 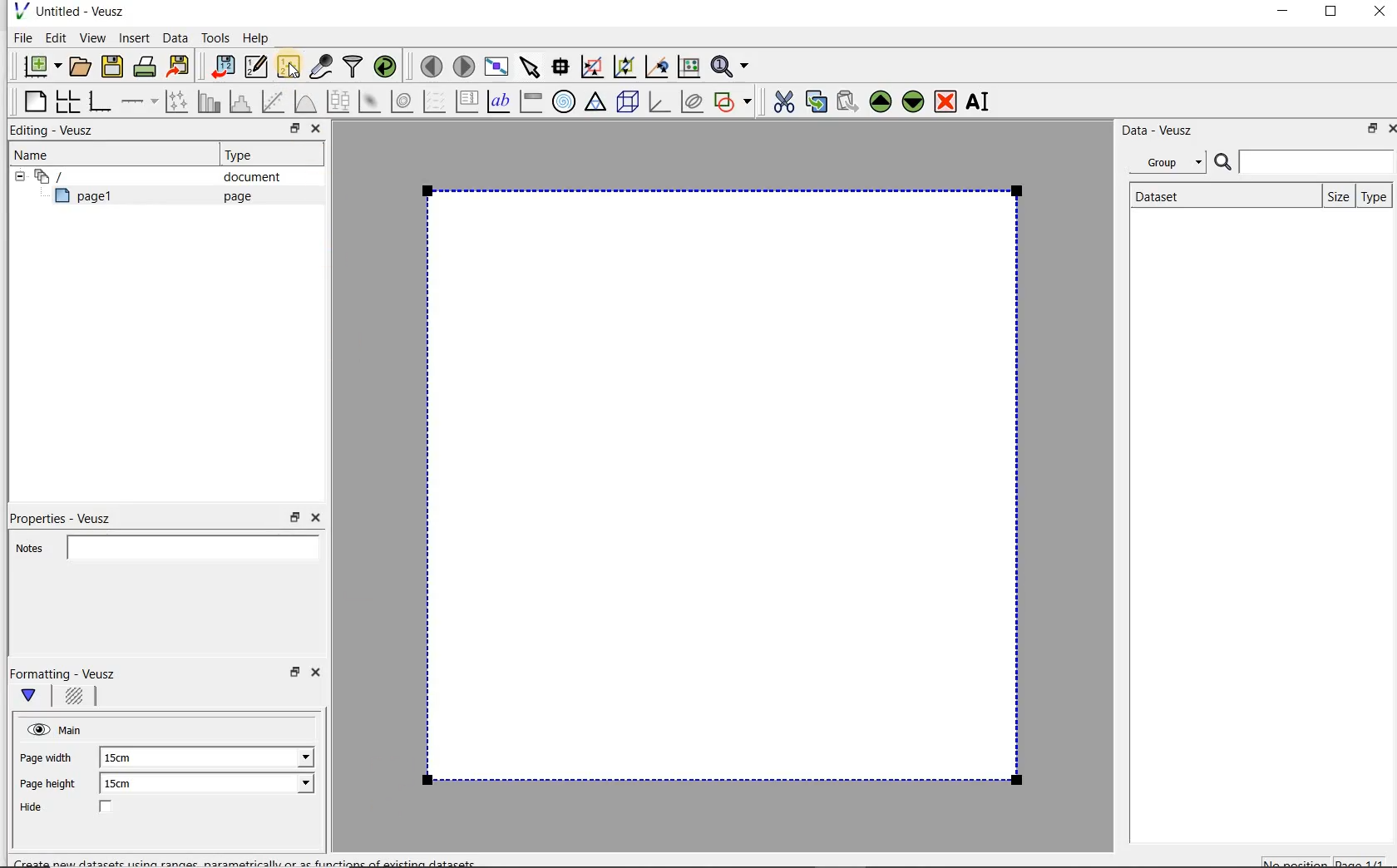 I want to click on Page width, so click(x=47, y=755).